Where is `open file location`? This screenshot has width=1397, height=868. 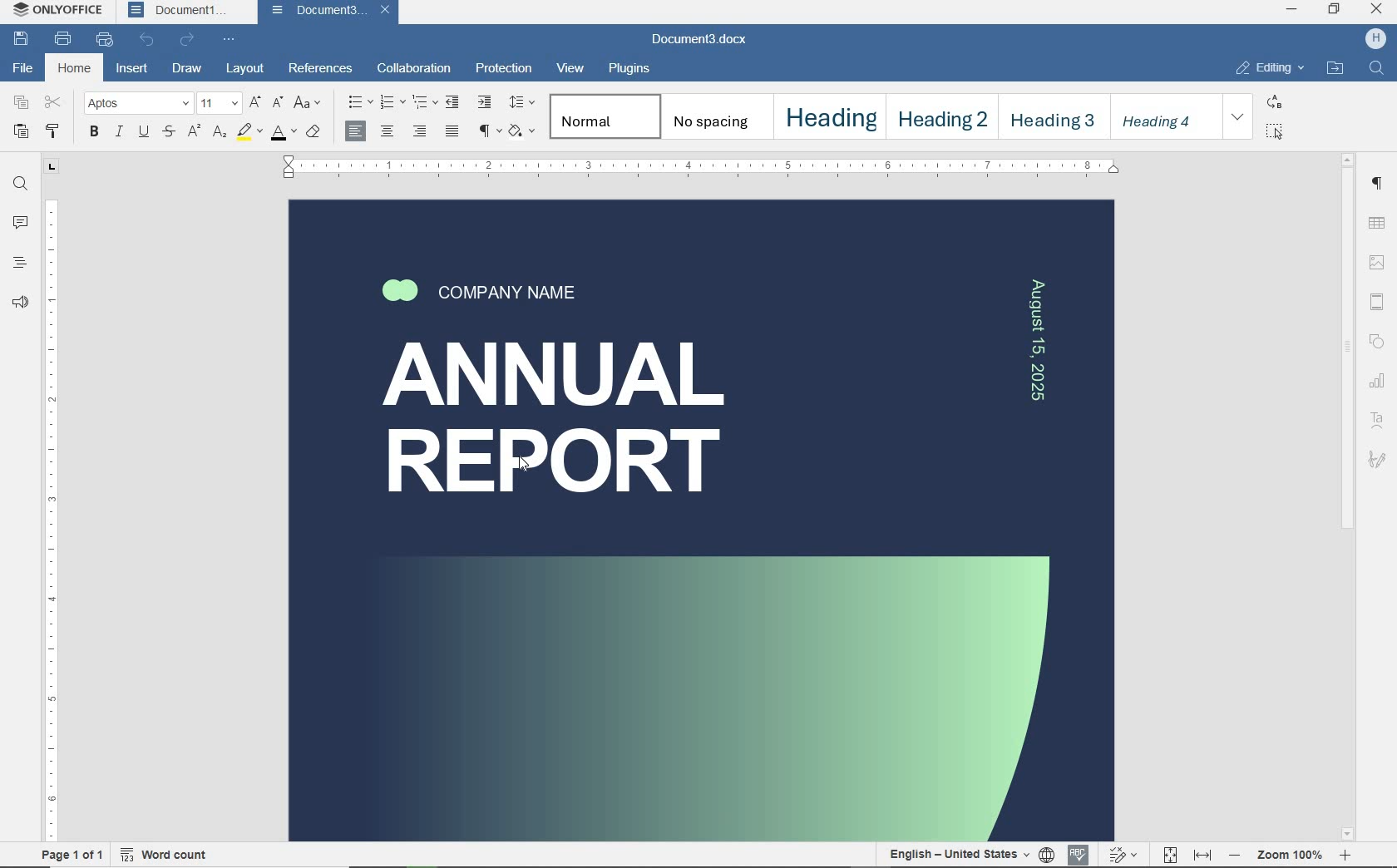 open file location is located at coordinates (1336, 70).